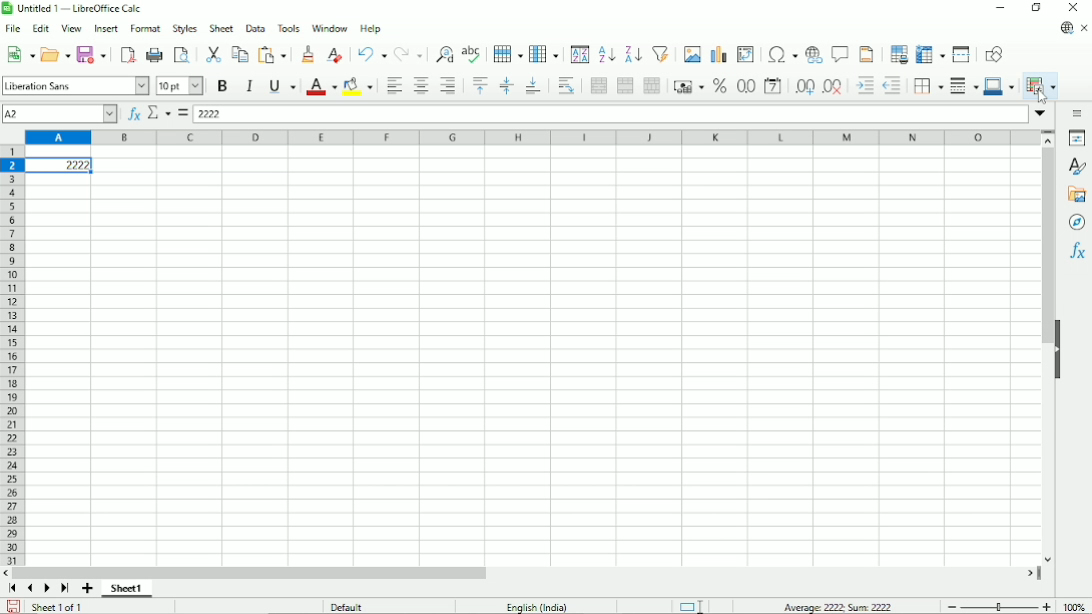  Describe the element at coordinates (14, 605) in the screenshot. I see `Save` at that location.